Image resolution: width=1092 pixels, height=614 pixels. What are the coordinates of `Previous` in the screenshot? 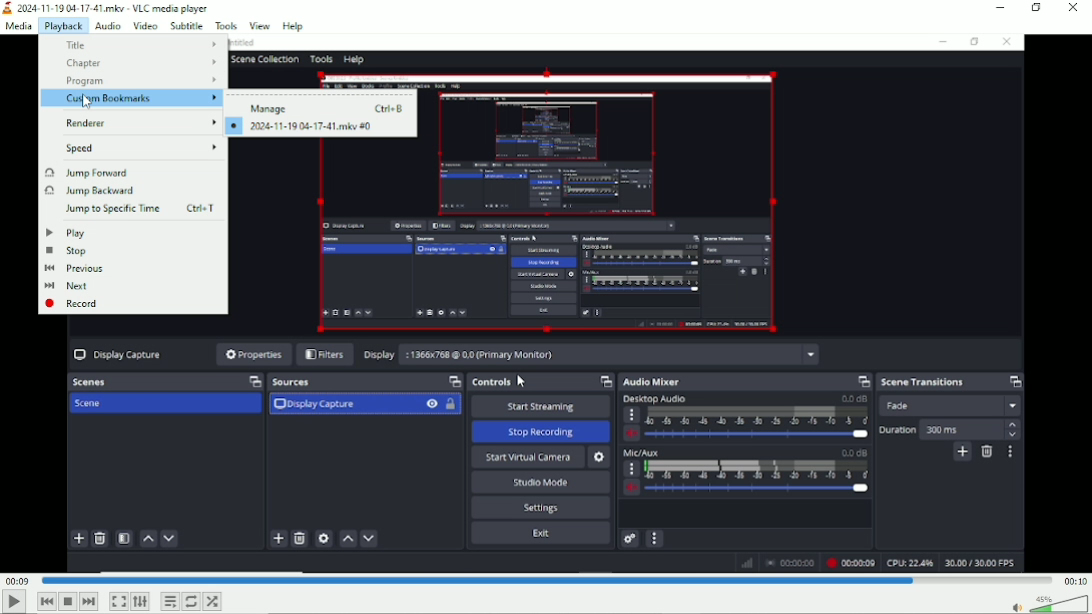 It's located at (47, 601).